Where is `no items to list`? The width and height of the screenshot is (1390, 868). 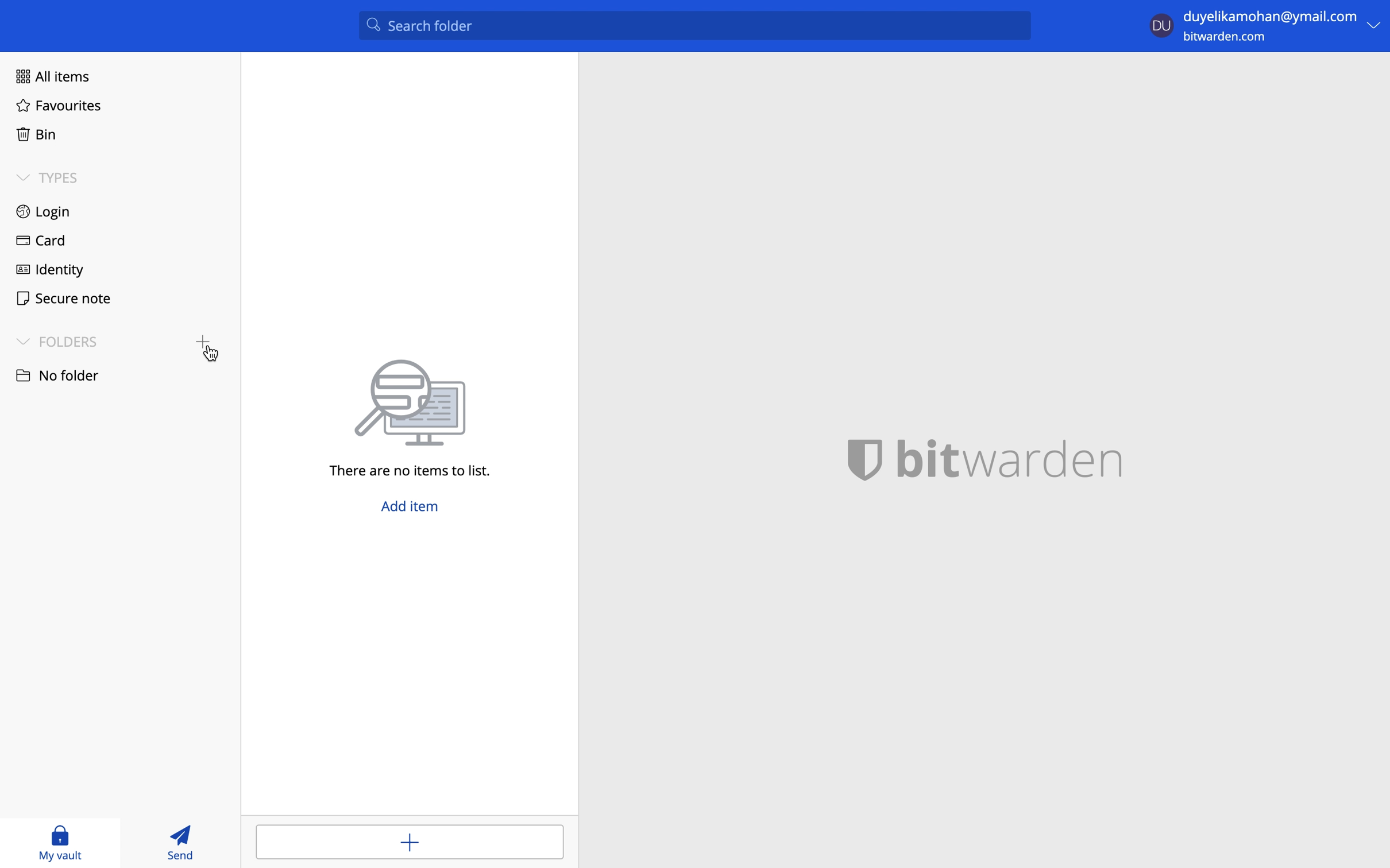
no items to list is located at coordinates (418, 418).